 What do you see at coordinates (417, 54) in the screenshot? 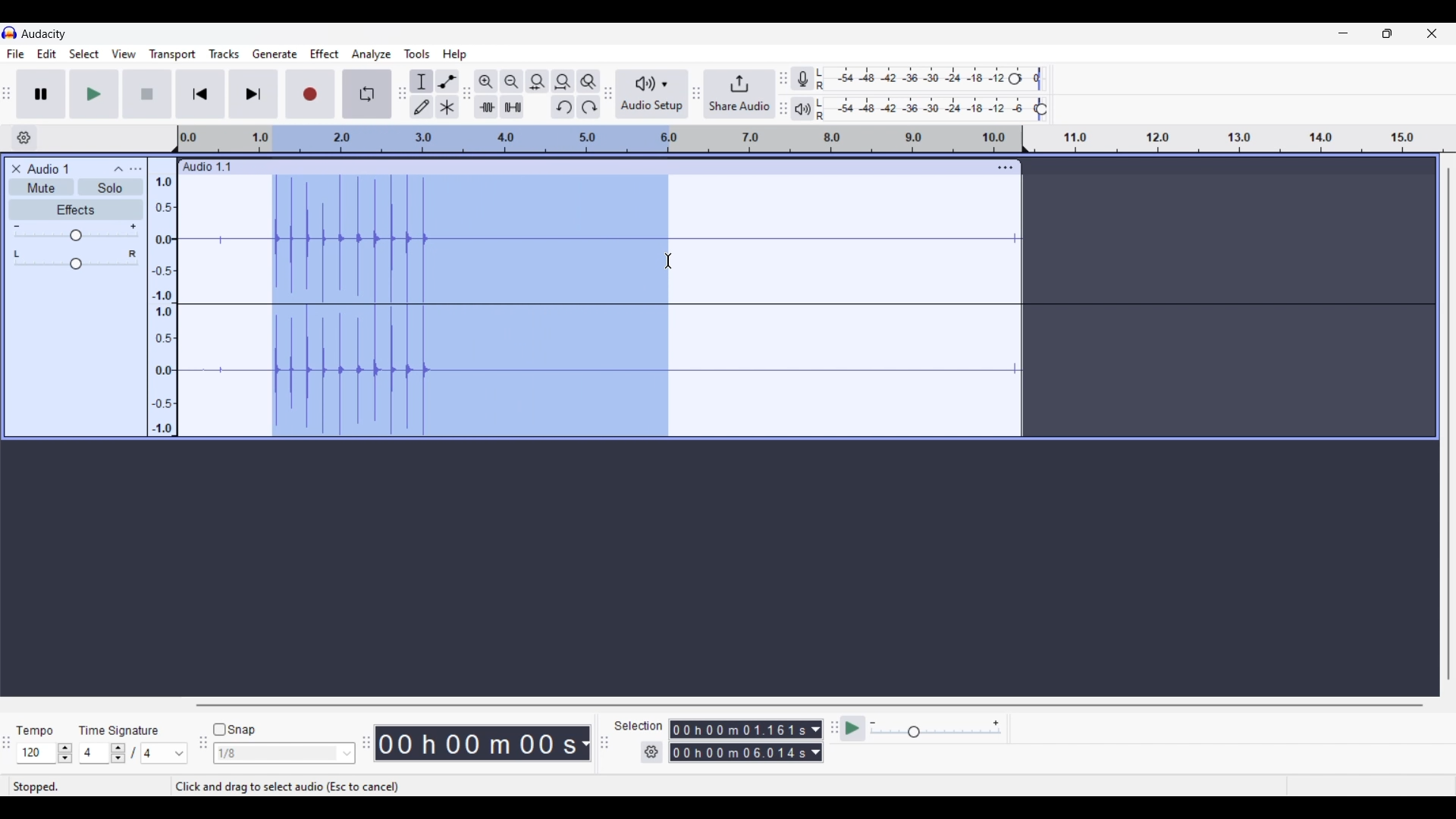
I see `Tools menu` at bounding box center [417, 54].